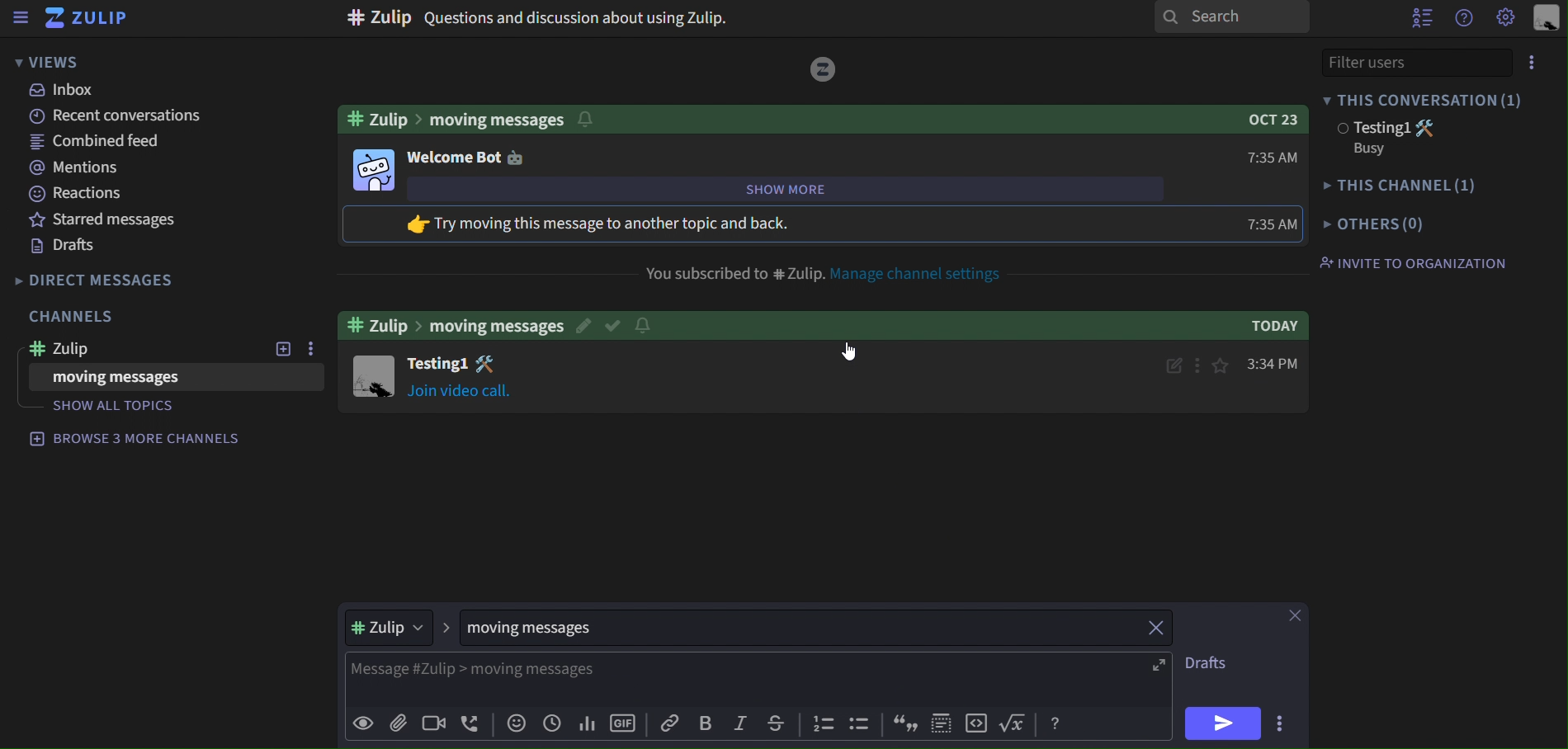 Image resolution: width=1568 pixels, height=749 pixels. I want to click on icon, so click(821, 726).